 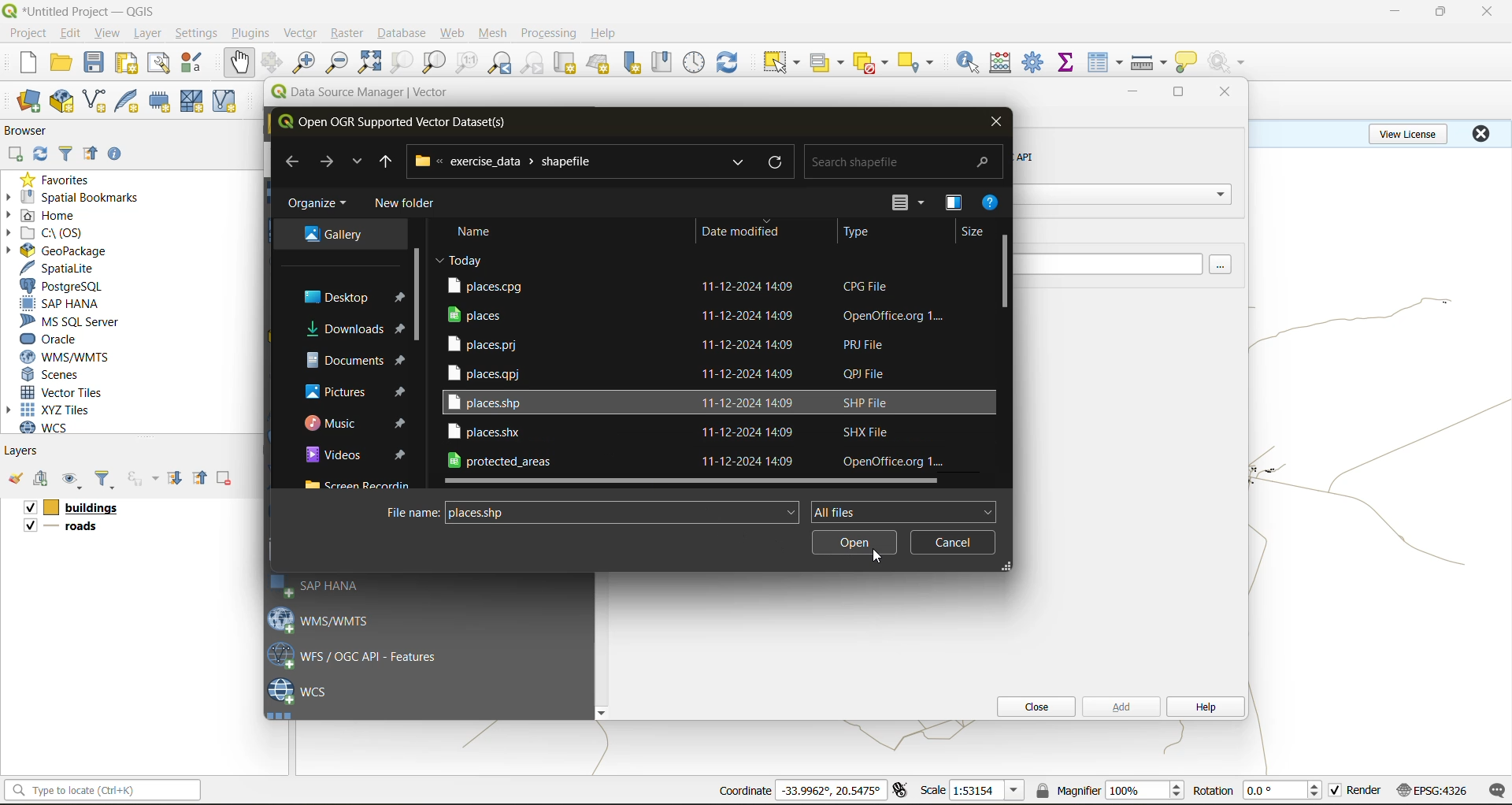 What do you see at coordinates (195, 103) in the screenshot?
I see `new mesh layer` at bounding box center [195, 103].